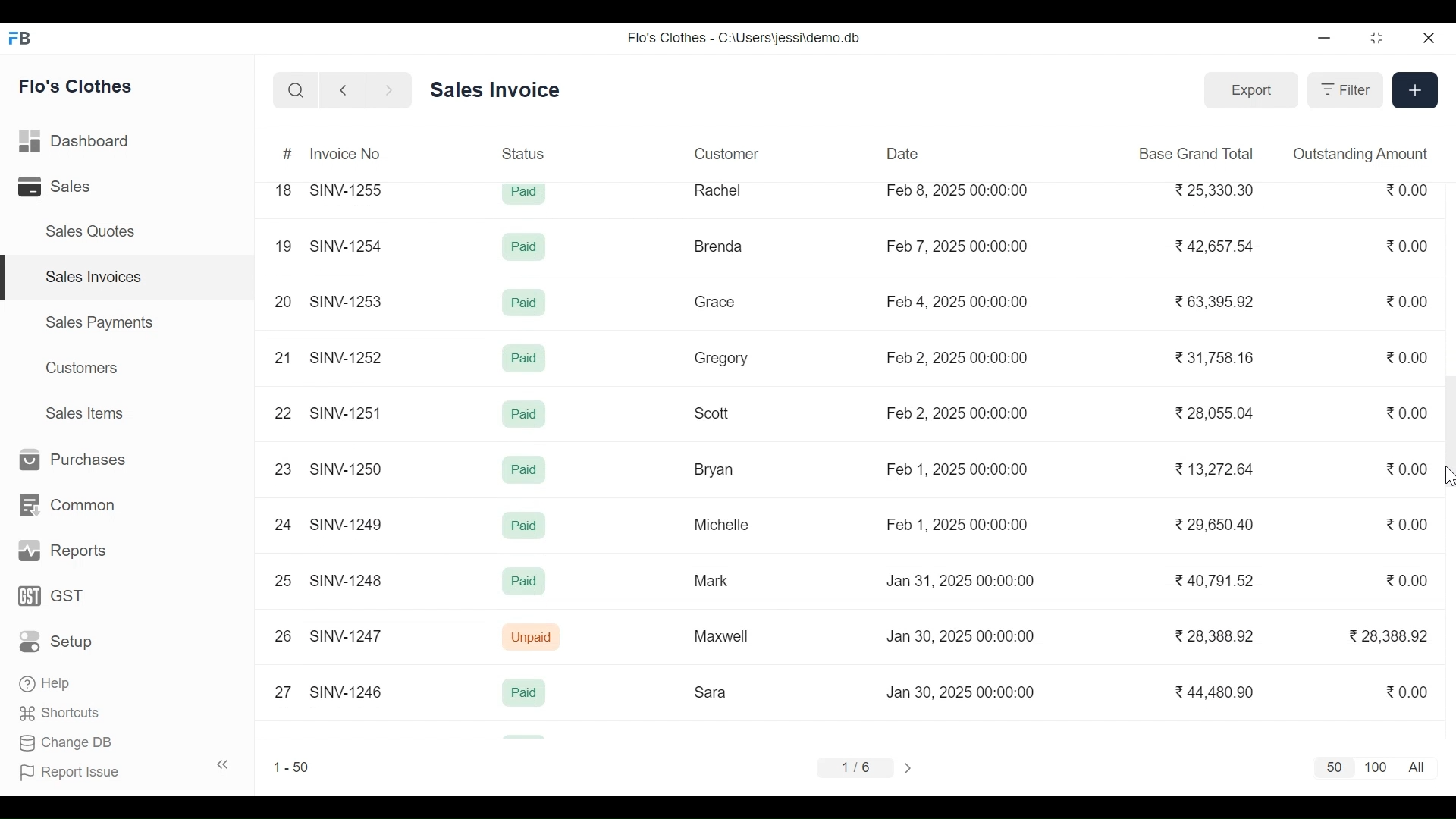 This screenshot has height=819, width=1456. Describe the element at coordinates (1409, 190) in the screenshot. I see `0.00` at that location.